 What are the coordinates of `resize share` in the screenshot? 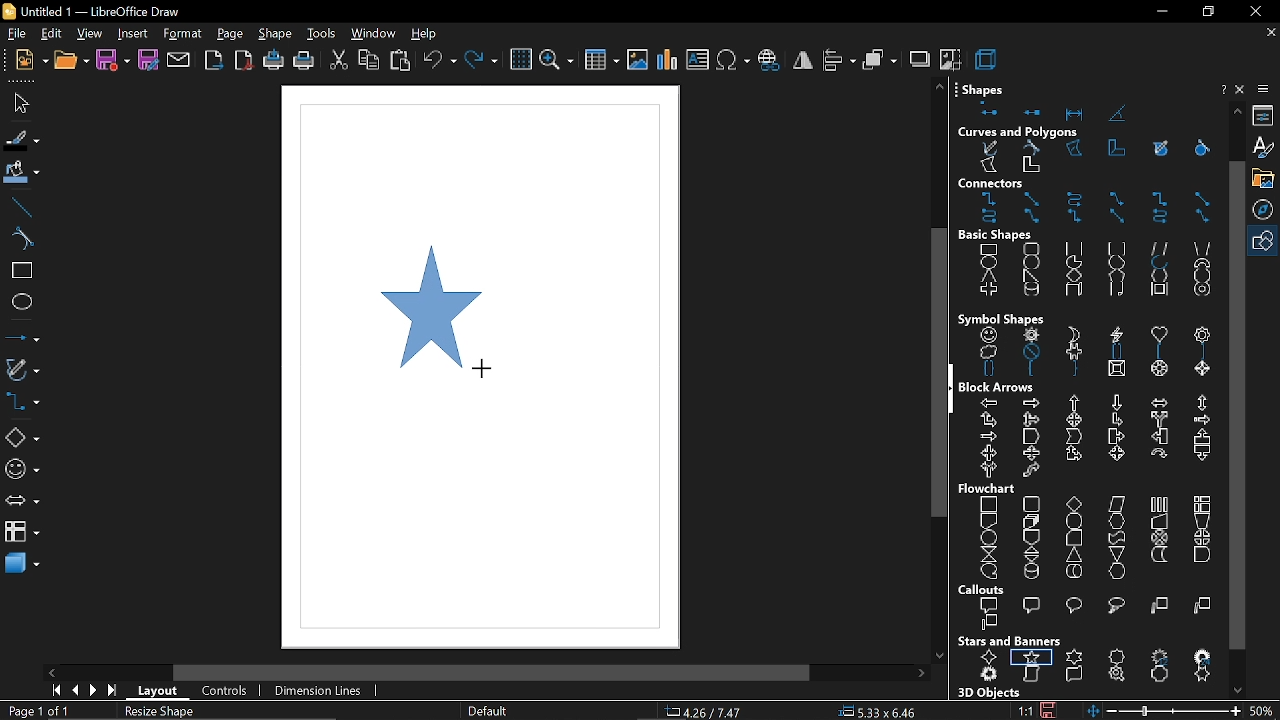 It's located at (157, 712).